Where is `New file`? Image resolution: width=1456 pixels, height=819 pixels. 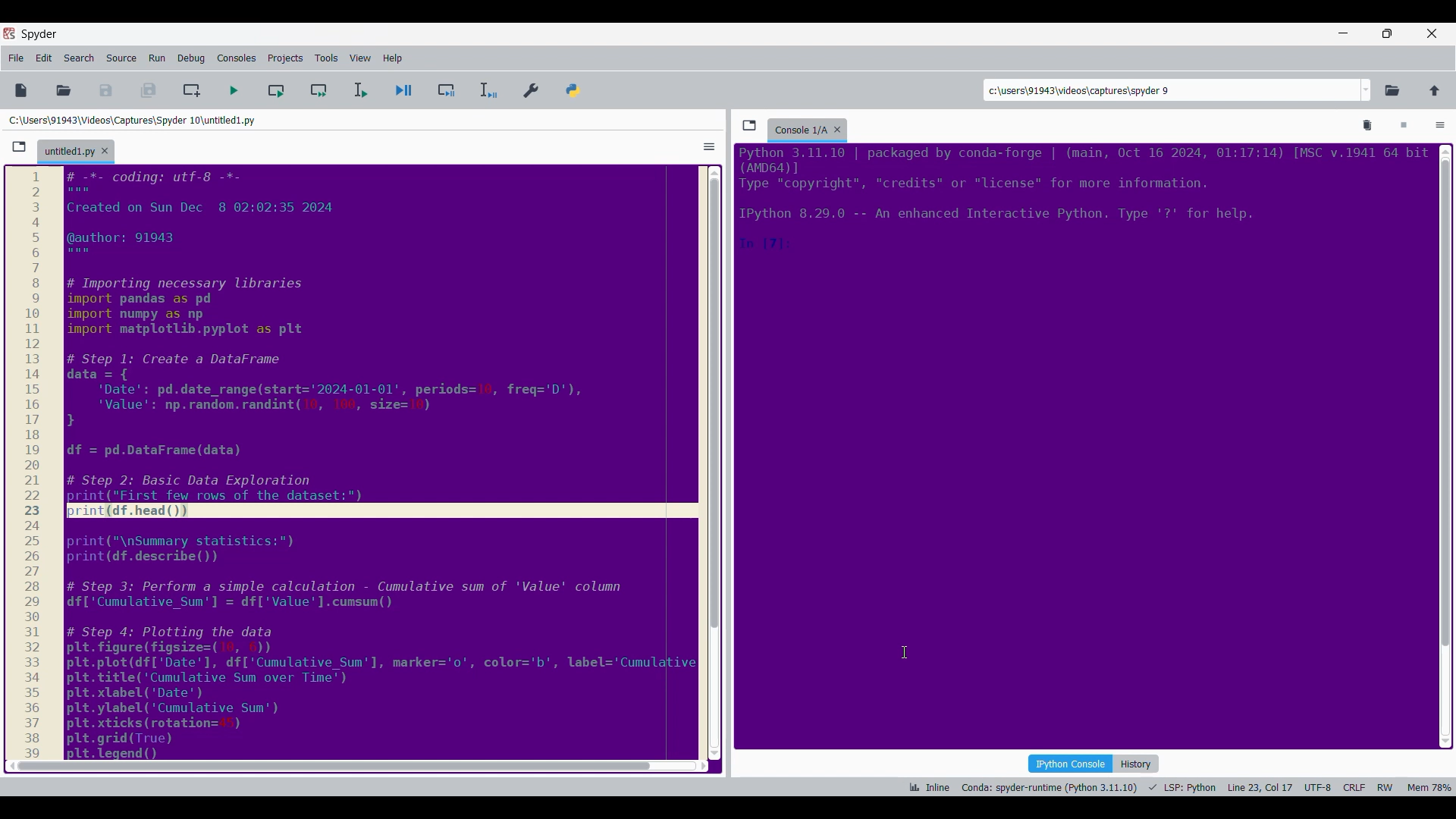 New file is located at coordinates (20, 90).